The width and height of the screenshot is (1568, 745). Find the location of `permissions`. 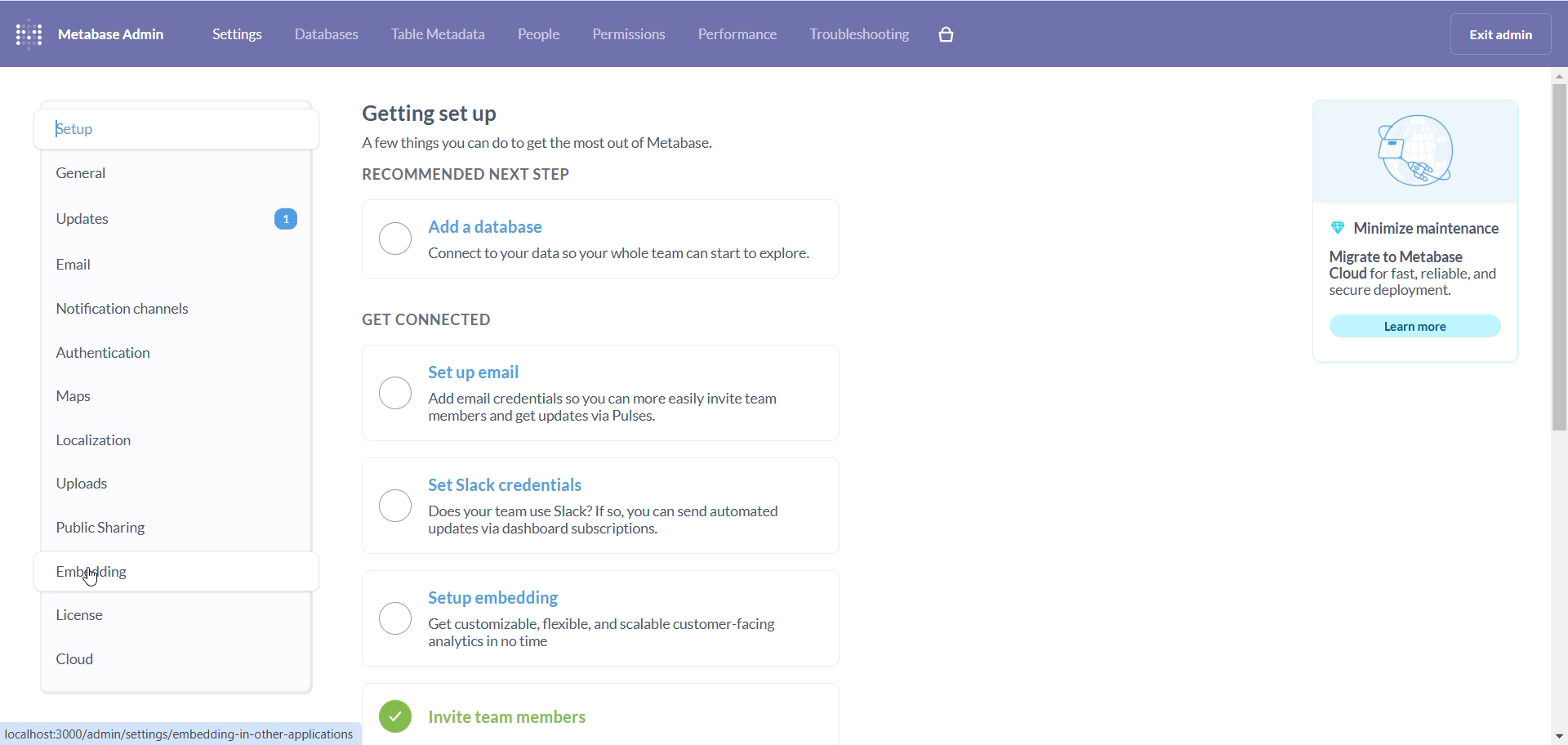

permissions is located at coordinates (626, 34).